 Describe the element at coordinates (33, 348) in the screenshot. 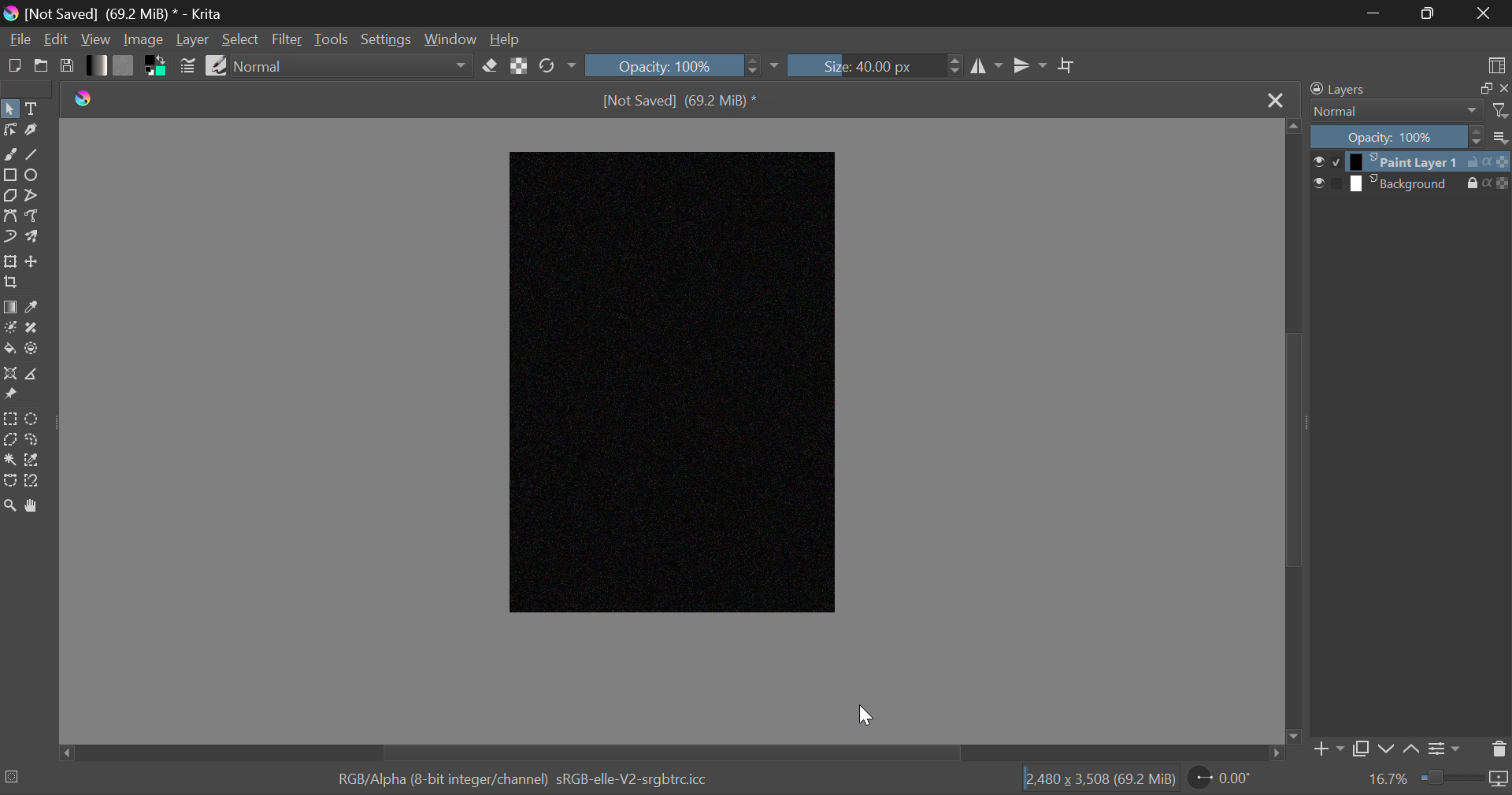

I see `Fill and Enclose` at that location.